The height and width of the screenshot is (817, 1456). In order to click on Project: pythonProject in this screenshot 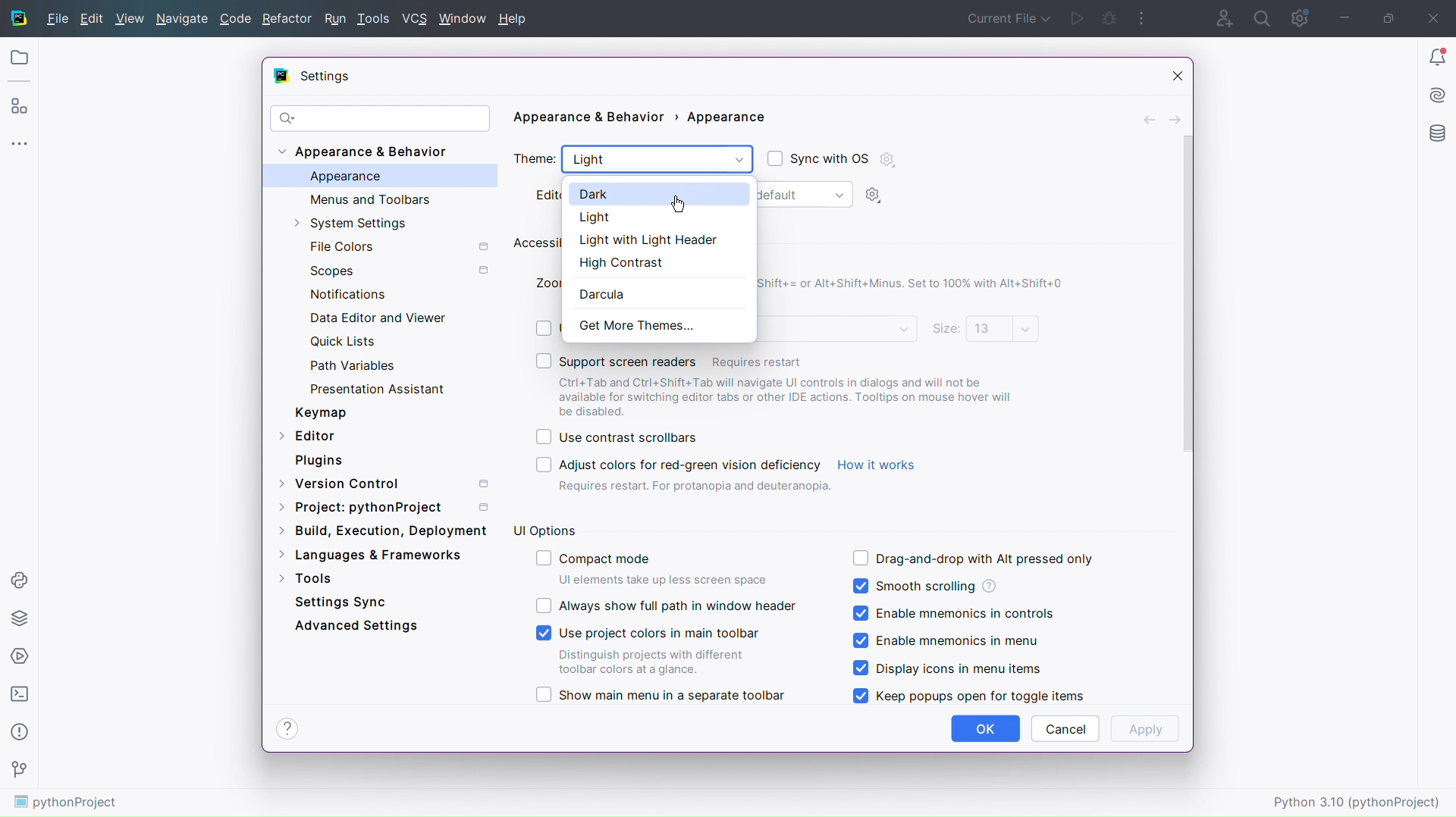, I will do `click(387, 507)`.